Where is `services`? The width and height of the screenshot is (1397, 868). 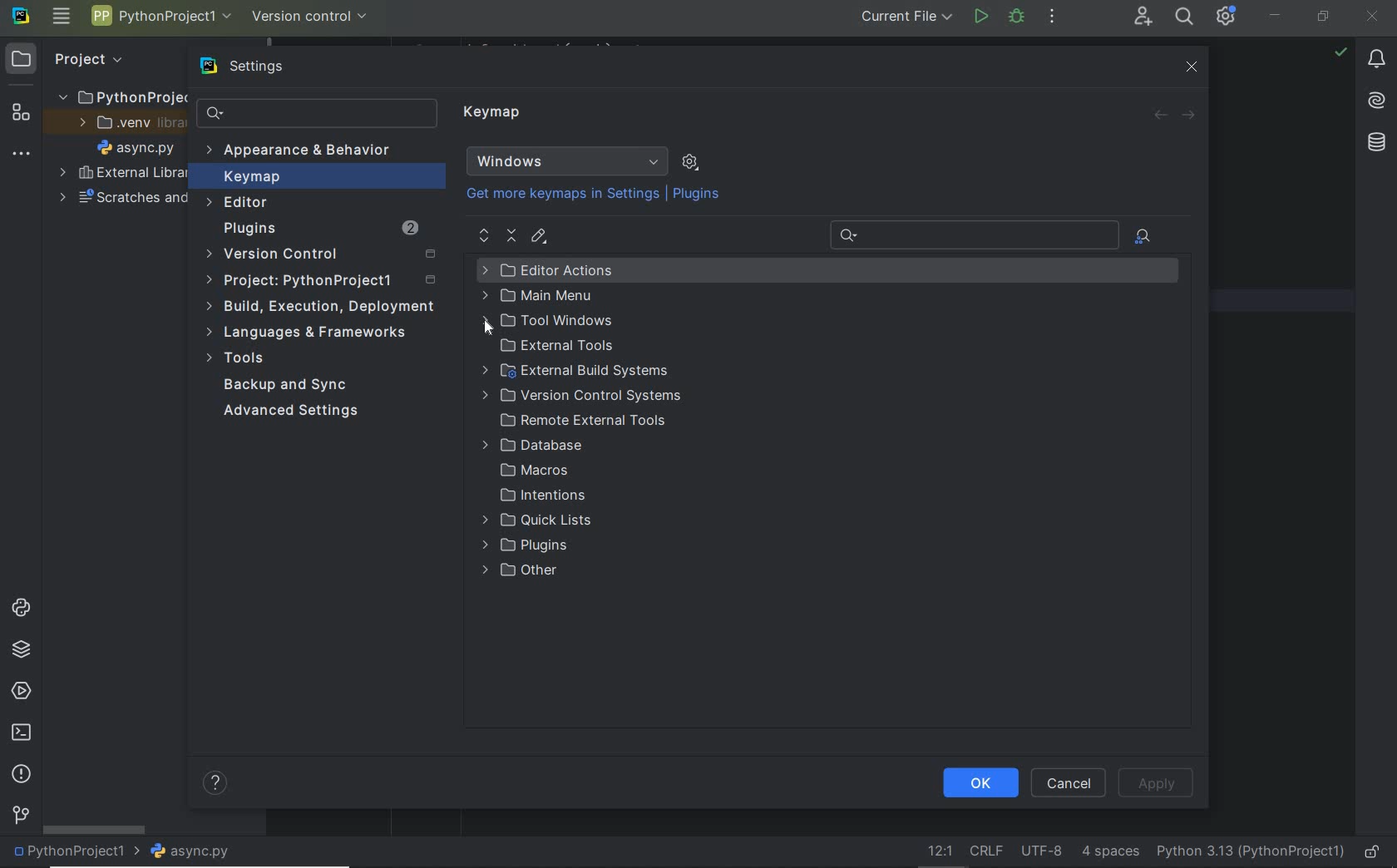
services is located at coordinates (18, 692).